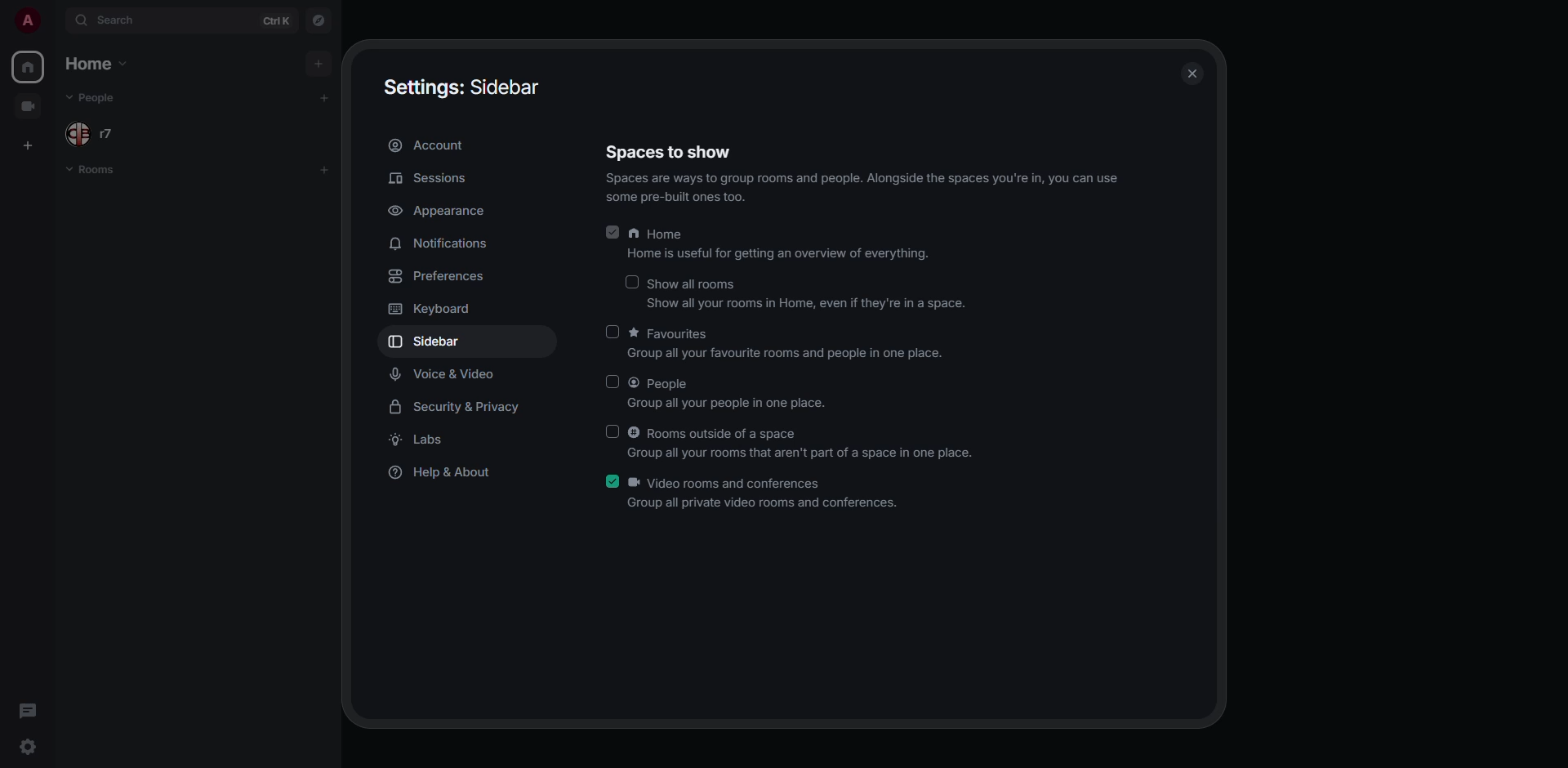 This screenshot has width=1568, height=768. I want to click on show all rooms, so click(809, 294).